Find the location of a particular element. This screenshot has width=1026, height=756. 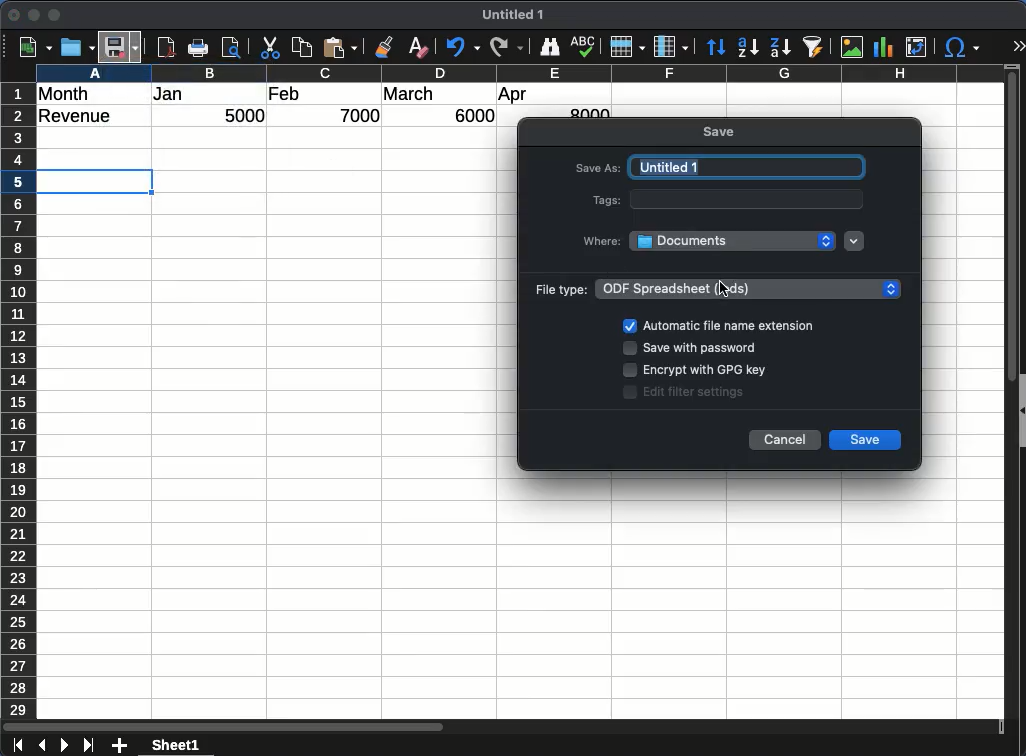

Untitled 1 is located at coordinates (517, 15).